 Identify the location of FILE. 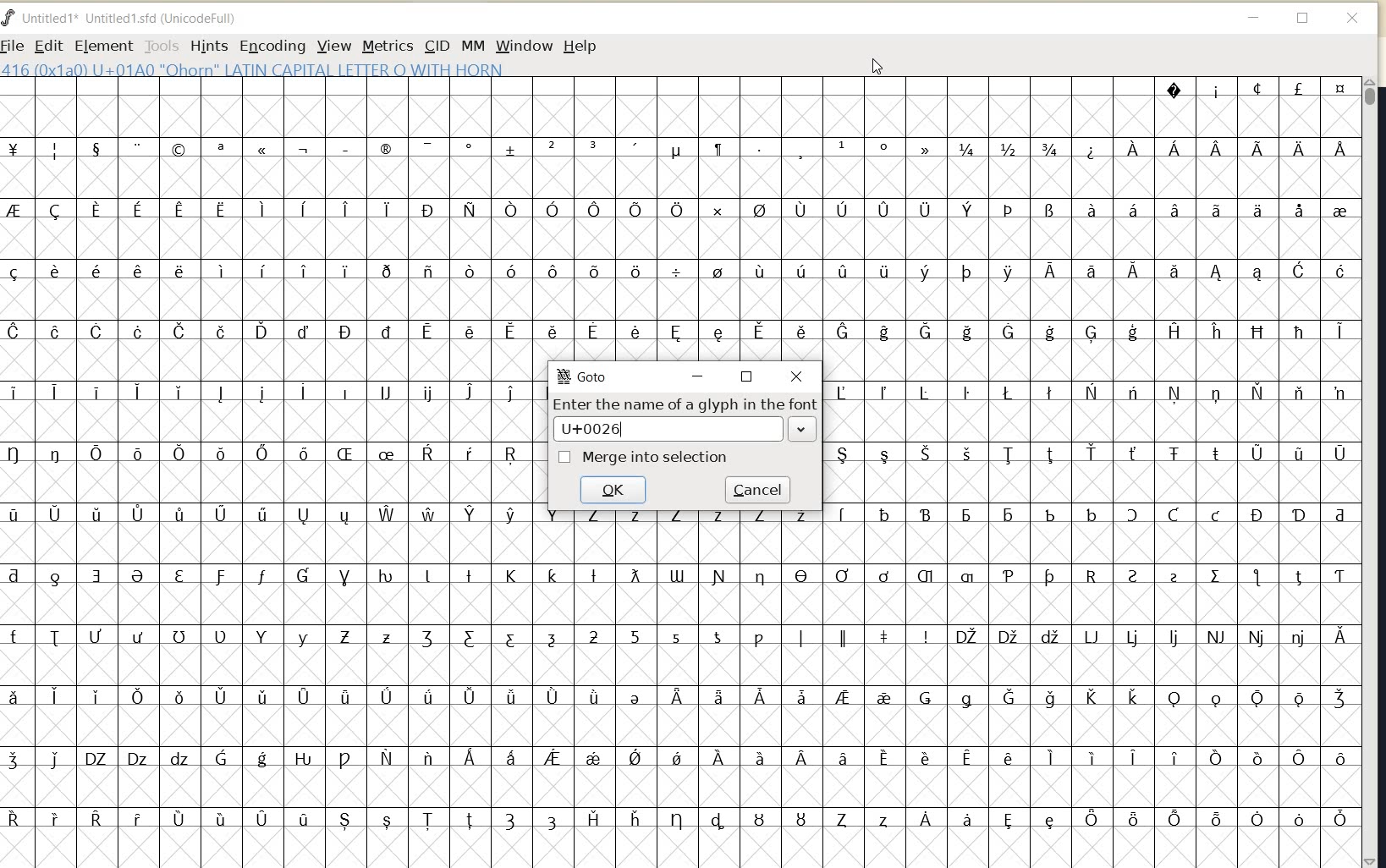
(14, 47).